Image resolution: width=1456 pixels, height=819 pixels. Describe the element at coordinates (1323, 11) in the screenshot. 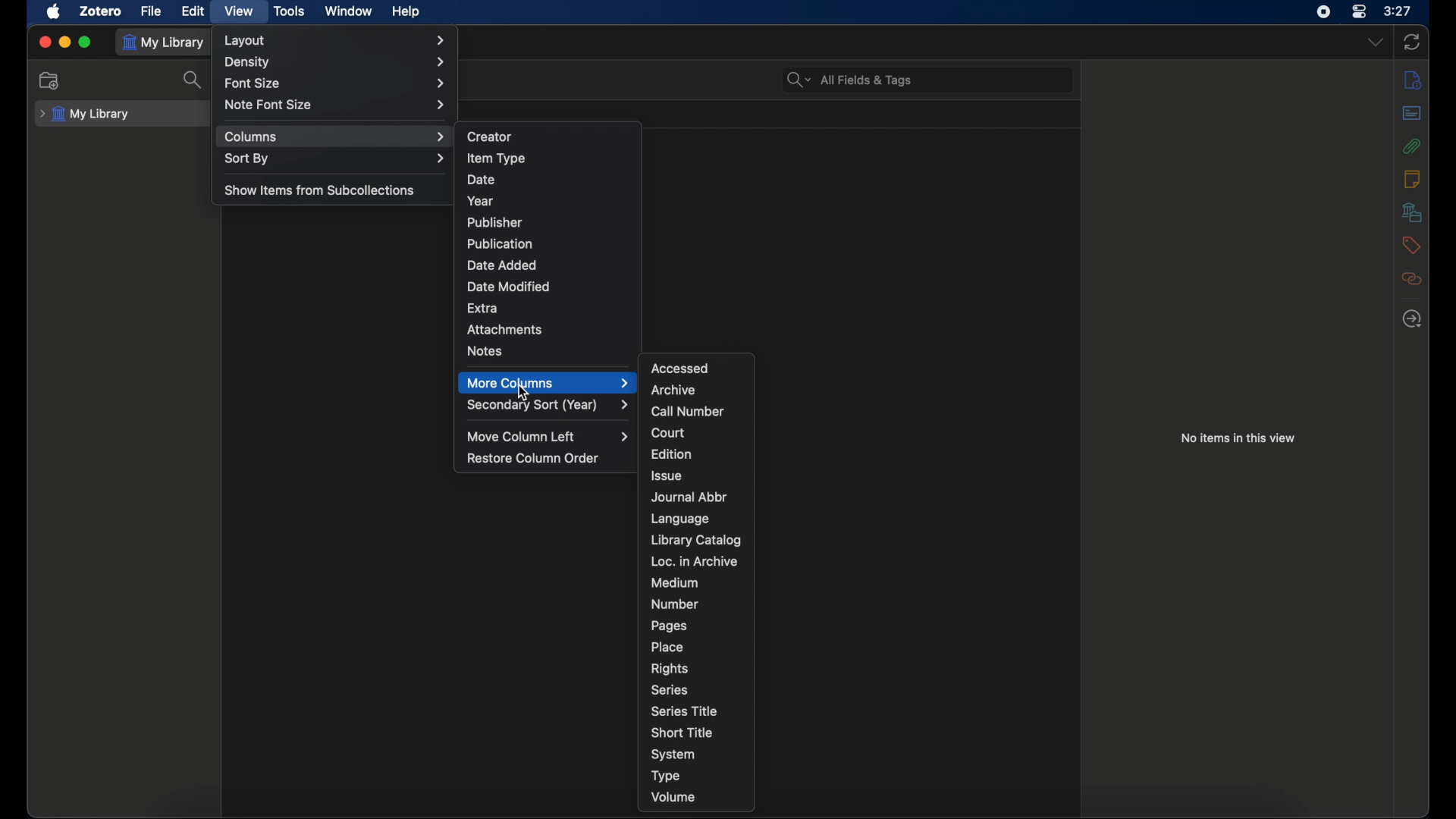

I see `screen recorder ` at that location.